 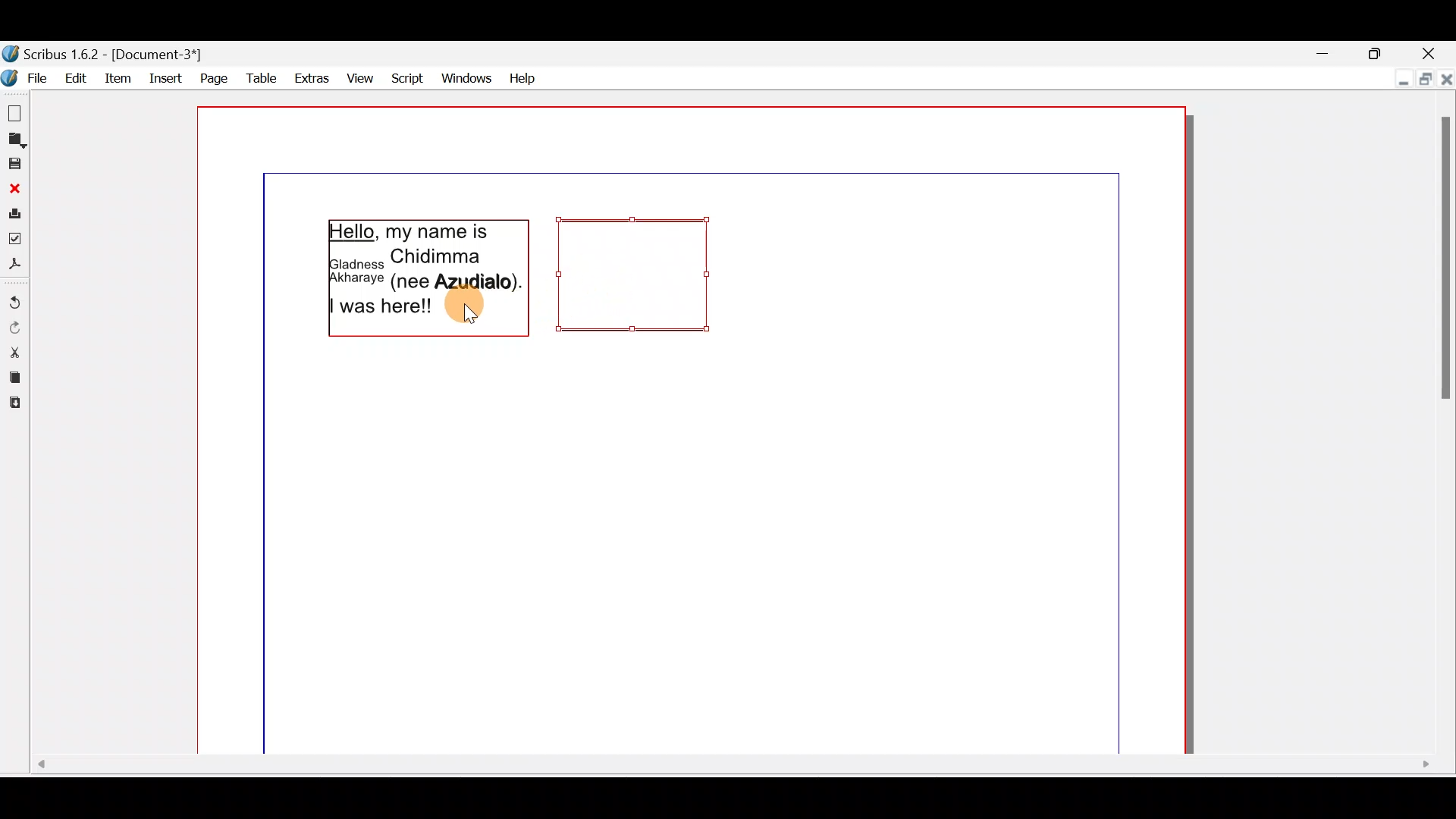 I want to click on View, so click(x=362, y=76).